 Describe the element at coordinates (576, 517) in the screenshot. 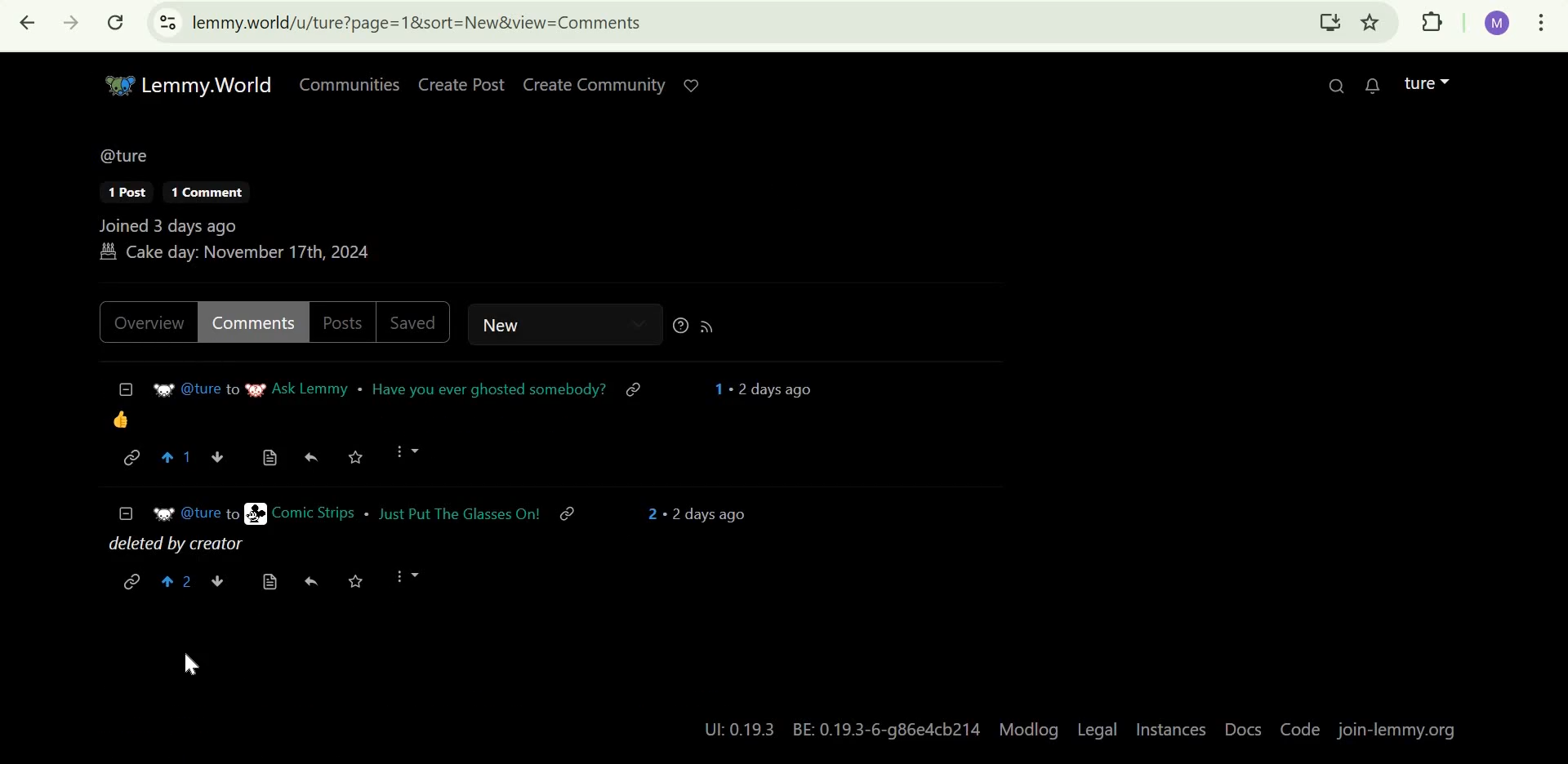

I see `link` at that location.